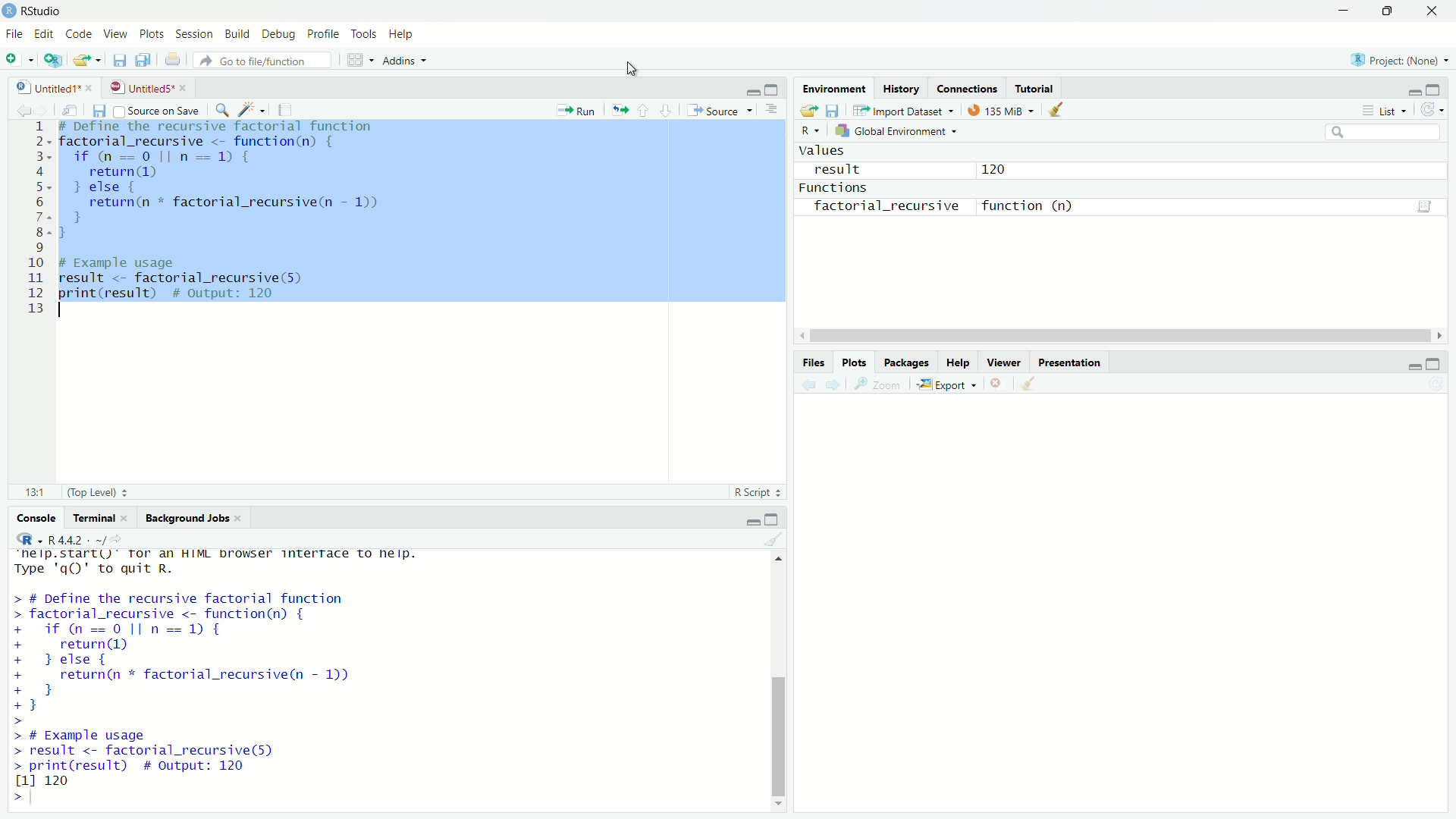  Describe the element at coordinates (103, 518) in the screenshot. I see `Terminal` at that location.